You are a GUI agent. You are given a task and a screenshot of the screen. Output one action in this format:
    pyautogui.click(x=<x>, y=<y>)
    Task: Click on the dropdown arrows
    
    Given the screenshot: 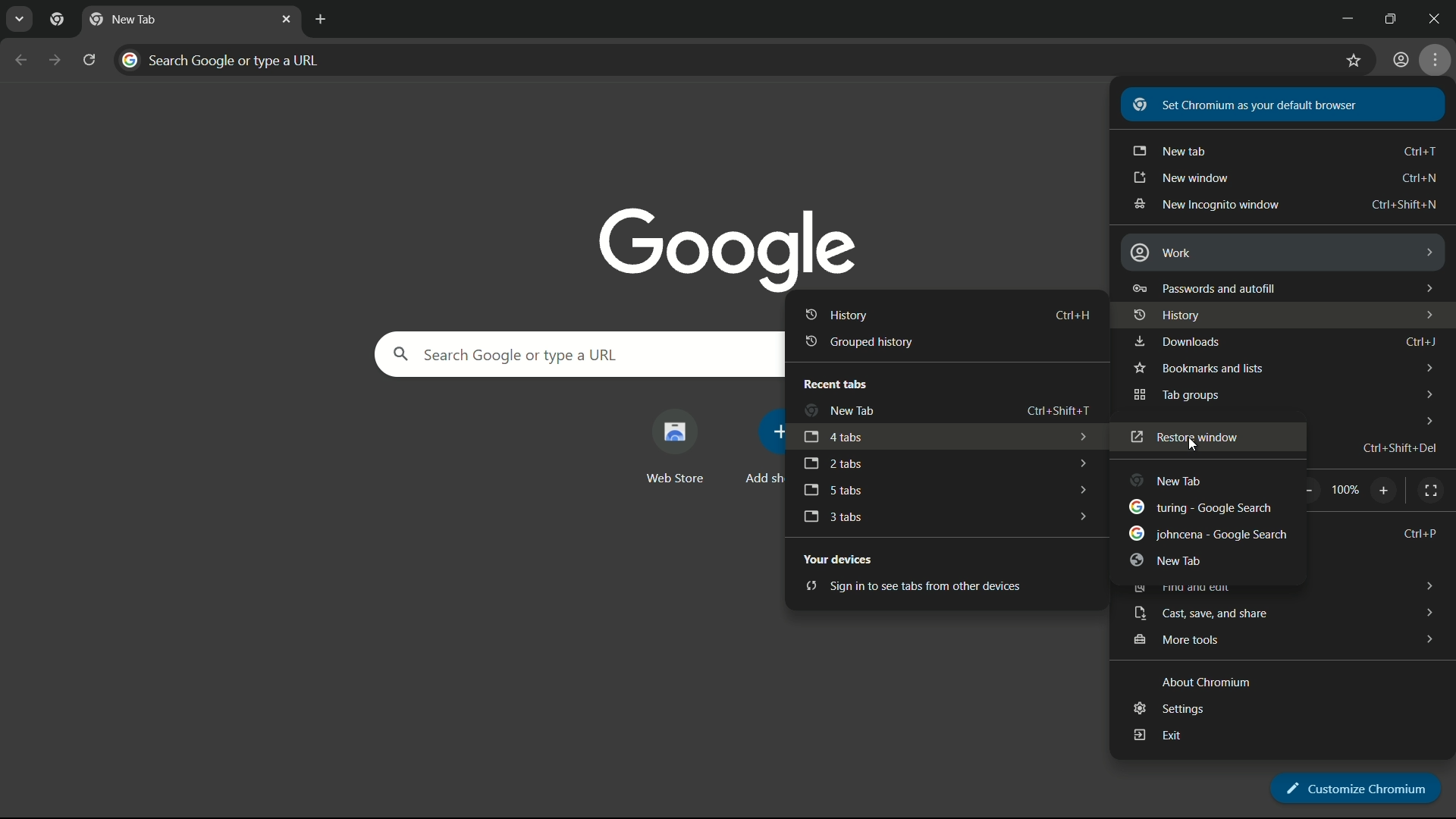 What is the action you would take?
    pyautogui.click(x=1424, y=315)
    